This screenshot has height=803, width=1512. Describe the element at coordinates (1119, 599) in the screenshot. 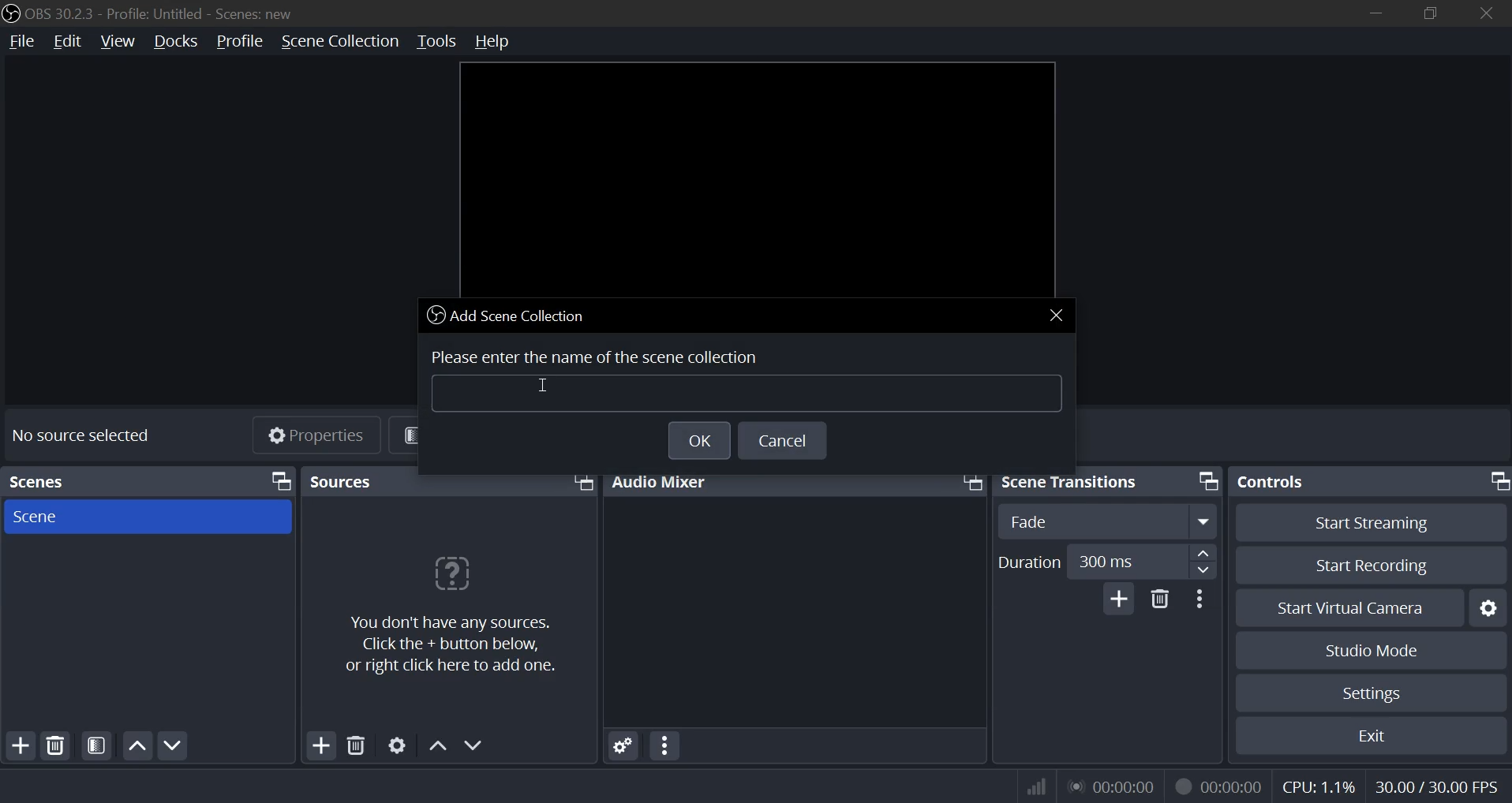

I see `add` at that location.